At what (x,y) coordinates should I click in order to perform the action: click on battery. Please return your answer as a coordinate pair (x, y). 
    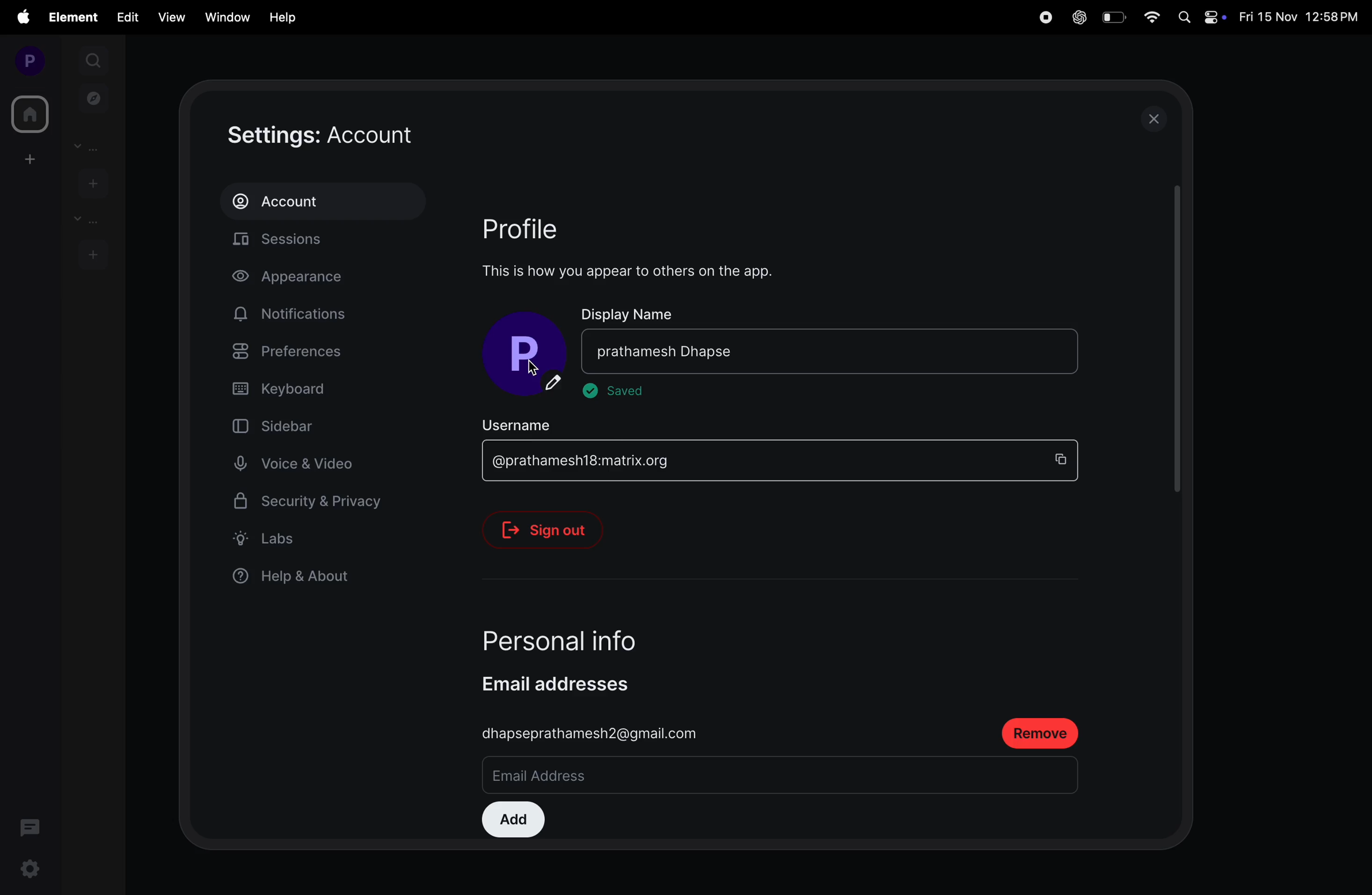
    Looking at the image, I should click on (1113, 17).